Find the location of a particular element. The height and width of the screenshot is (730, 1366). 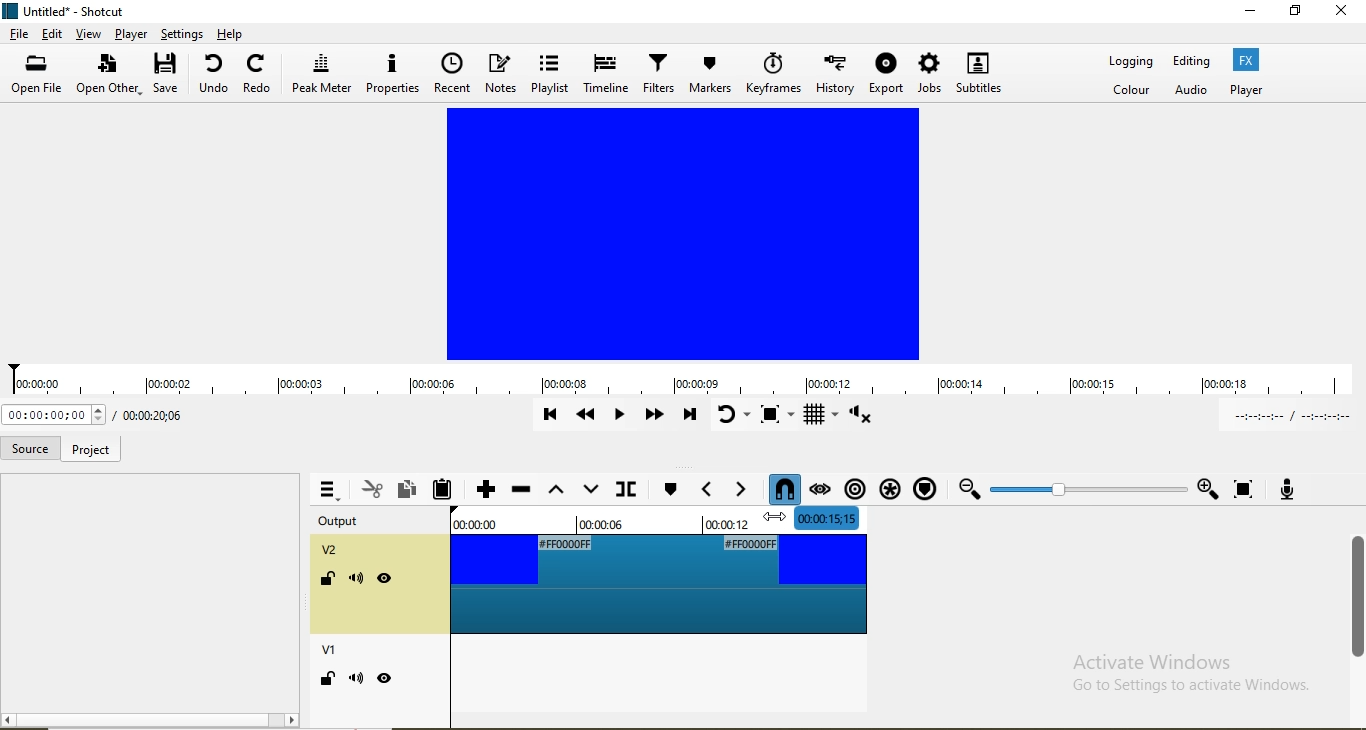

Zoom in is located at coordinates (1207, 489).